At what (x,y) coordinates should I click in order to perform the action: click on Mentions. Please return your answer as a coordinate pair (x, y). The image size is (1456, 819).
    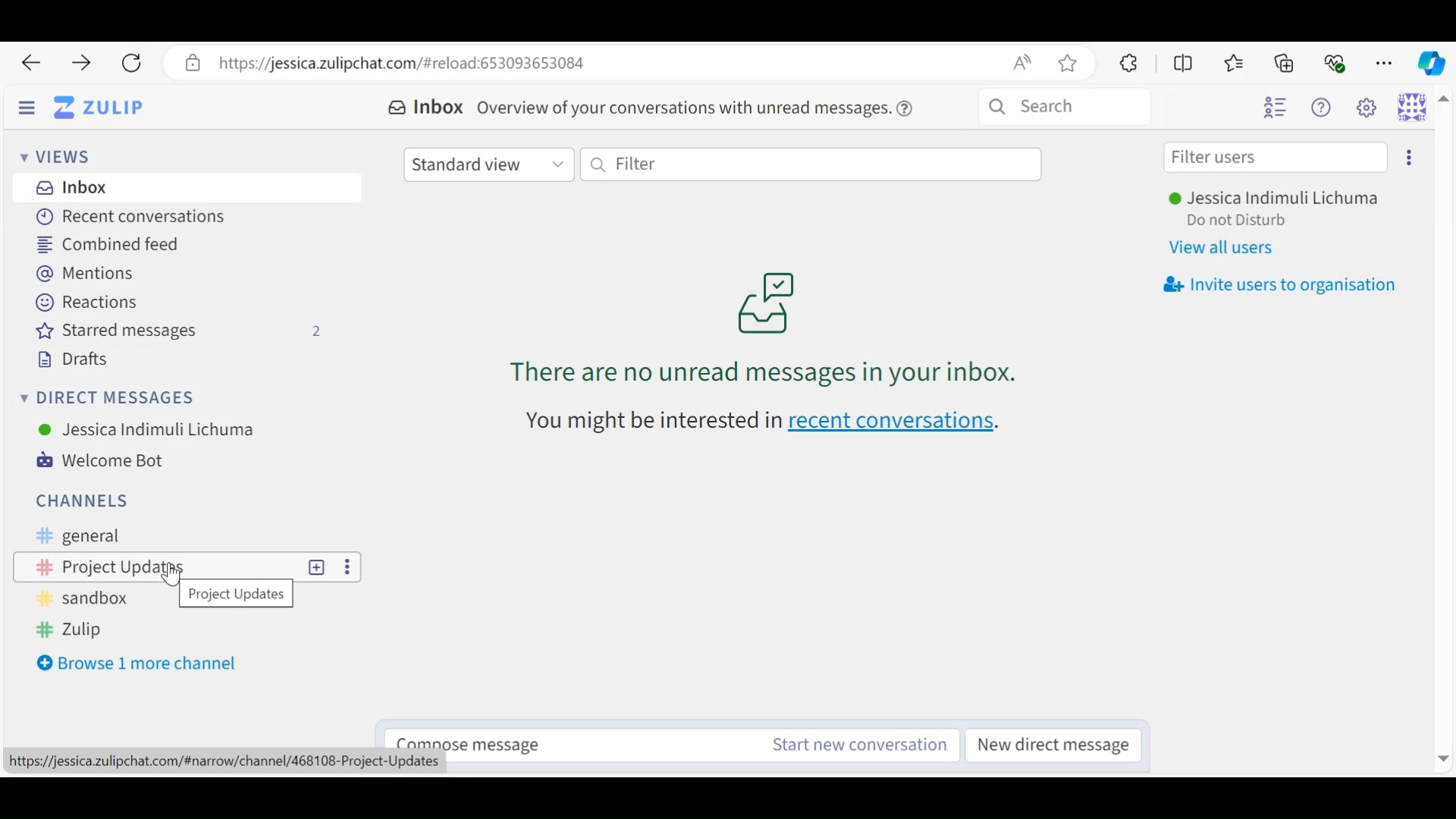
    Looking at the image, I should click on (92, 275).